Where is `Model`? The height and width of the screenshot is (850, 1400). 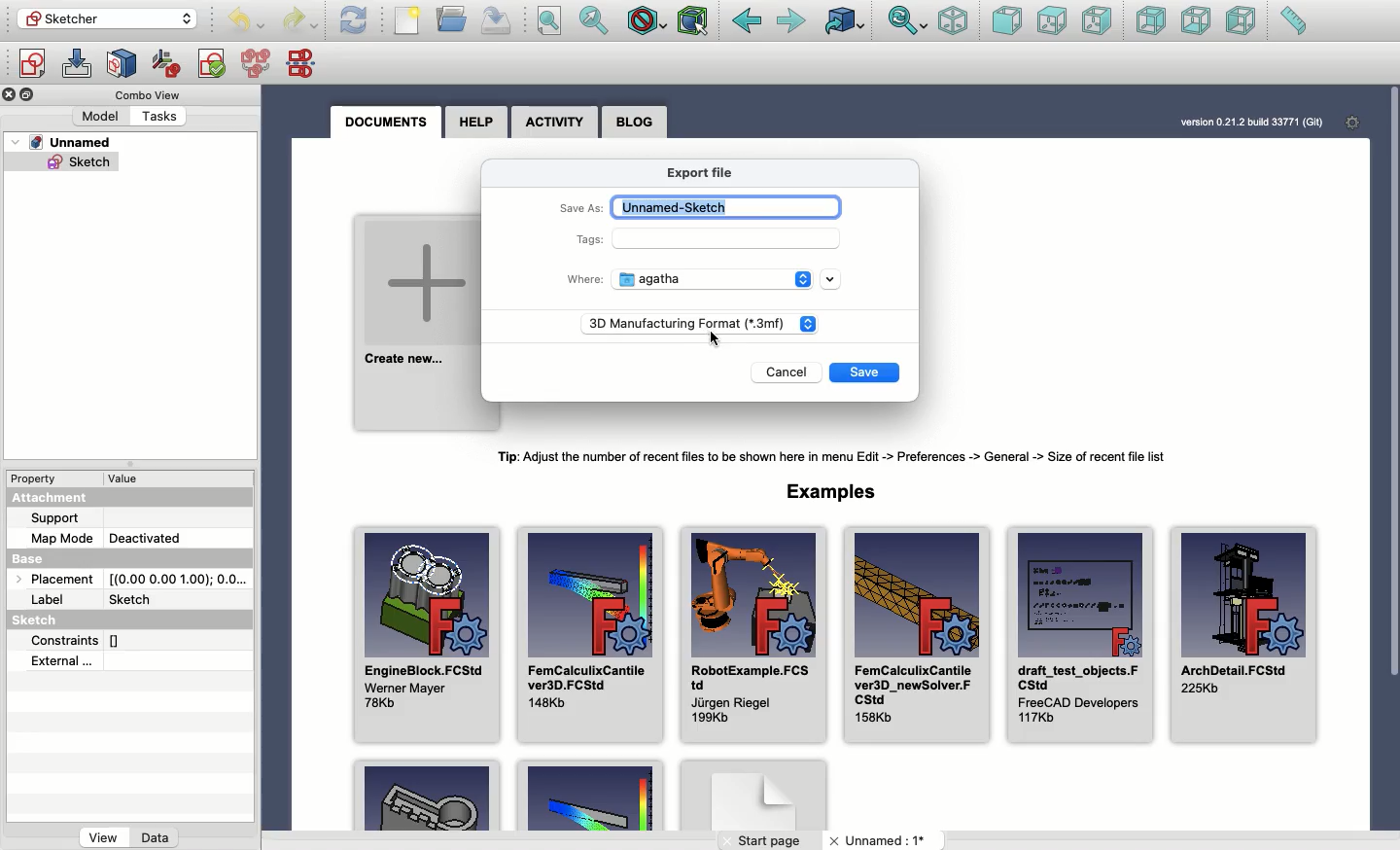 Model is located at coordinates (102, 116).